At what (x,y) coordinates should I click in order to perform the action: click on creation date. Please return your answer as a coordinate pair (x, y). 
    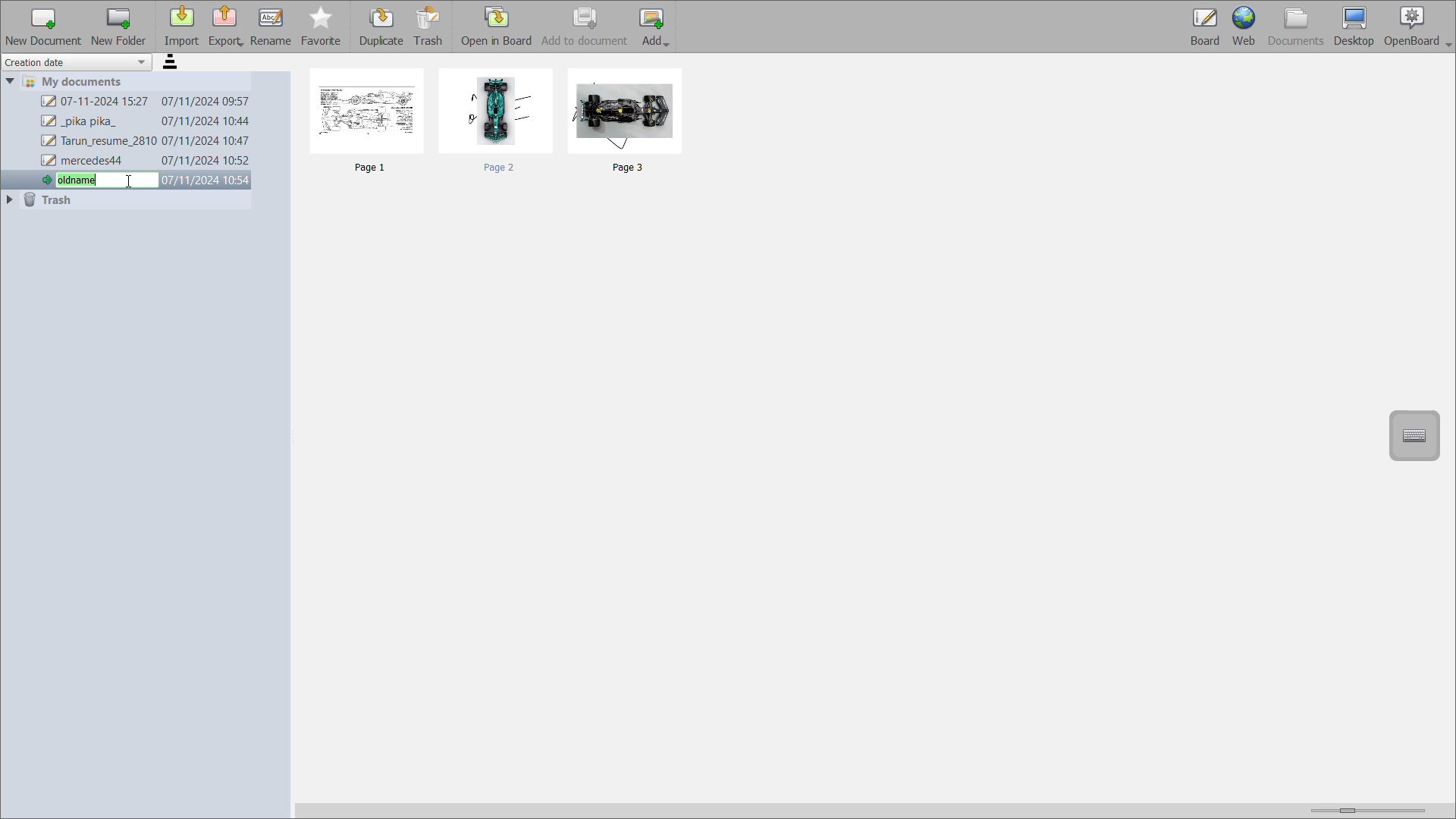
    Looking at the image, I should click on (78, 63).